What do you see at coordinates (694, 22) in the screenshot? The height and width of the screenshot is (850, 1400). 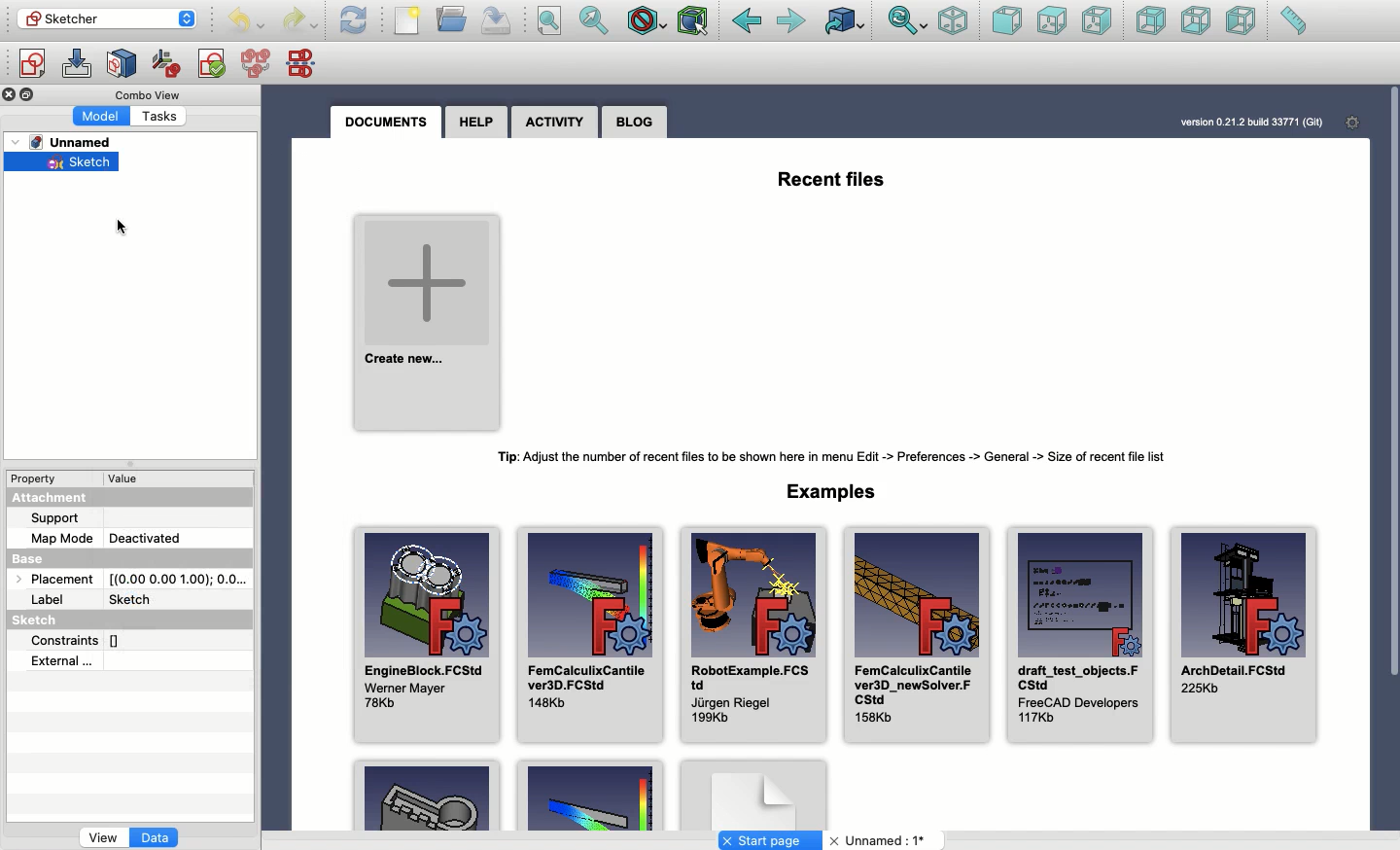 I see `Bounding box` at bounding box center [694, 22].